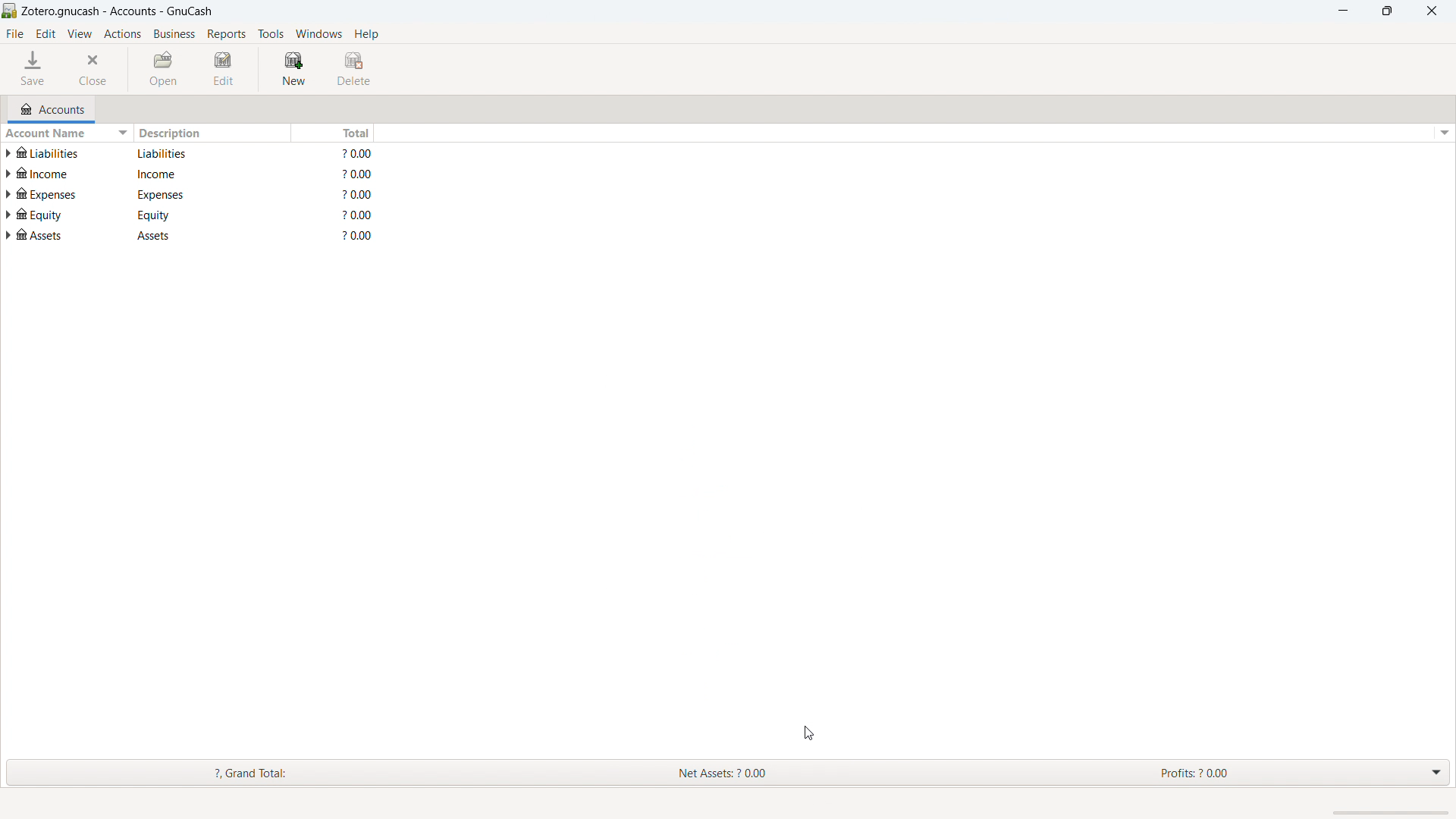 Image resolution: width=1456 pixels, height=819 pixels. I want to click on new, so click(292, 67).